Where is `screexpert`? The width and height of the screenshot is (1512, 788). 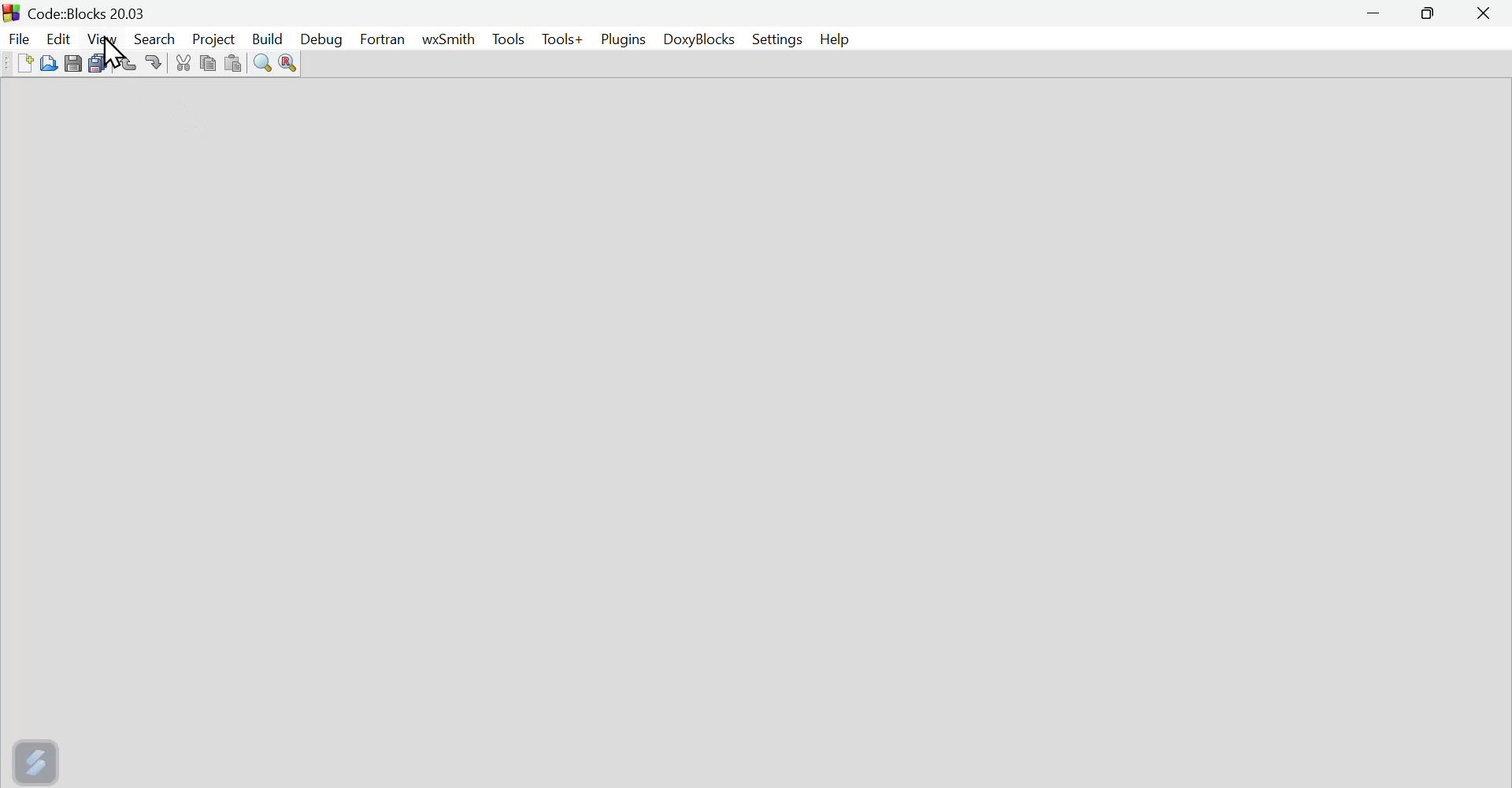
screexpert is located at coordinates (39, 759).